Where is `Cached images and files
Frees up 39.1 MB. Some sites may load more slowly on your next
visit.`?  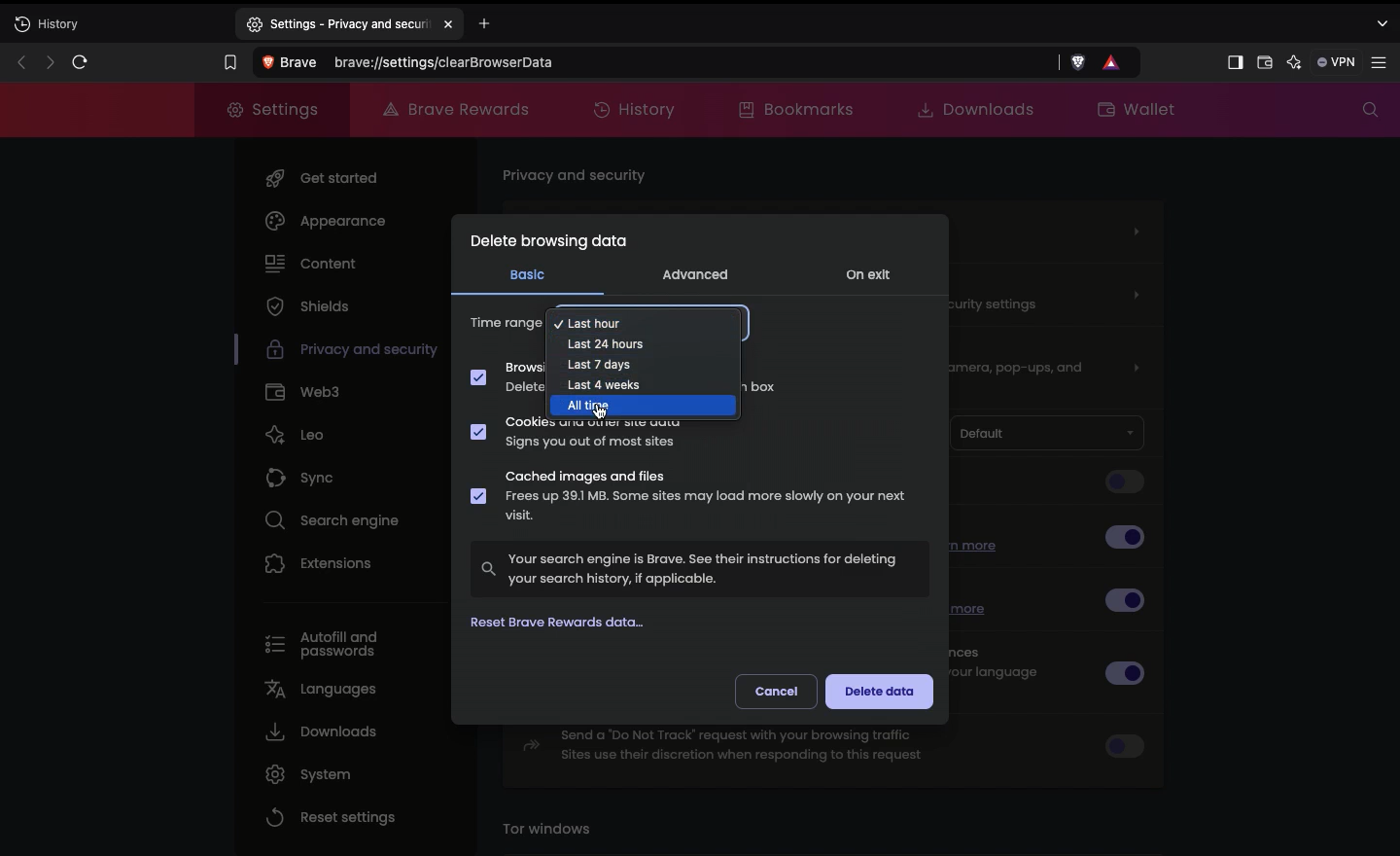
Cached images and files
Frees up 39.1 MB. Some sites may load more slowly on your next
visit. is located at coordinates (692, 499).